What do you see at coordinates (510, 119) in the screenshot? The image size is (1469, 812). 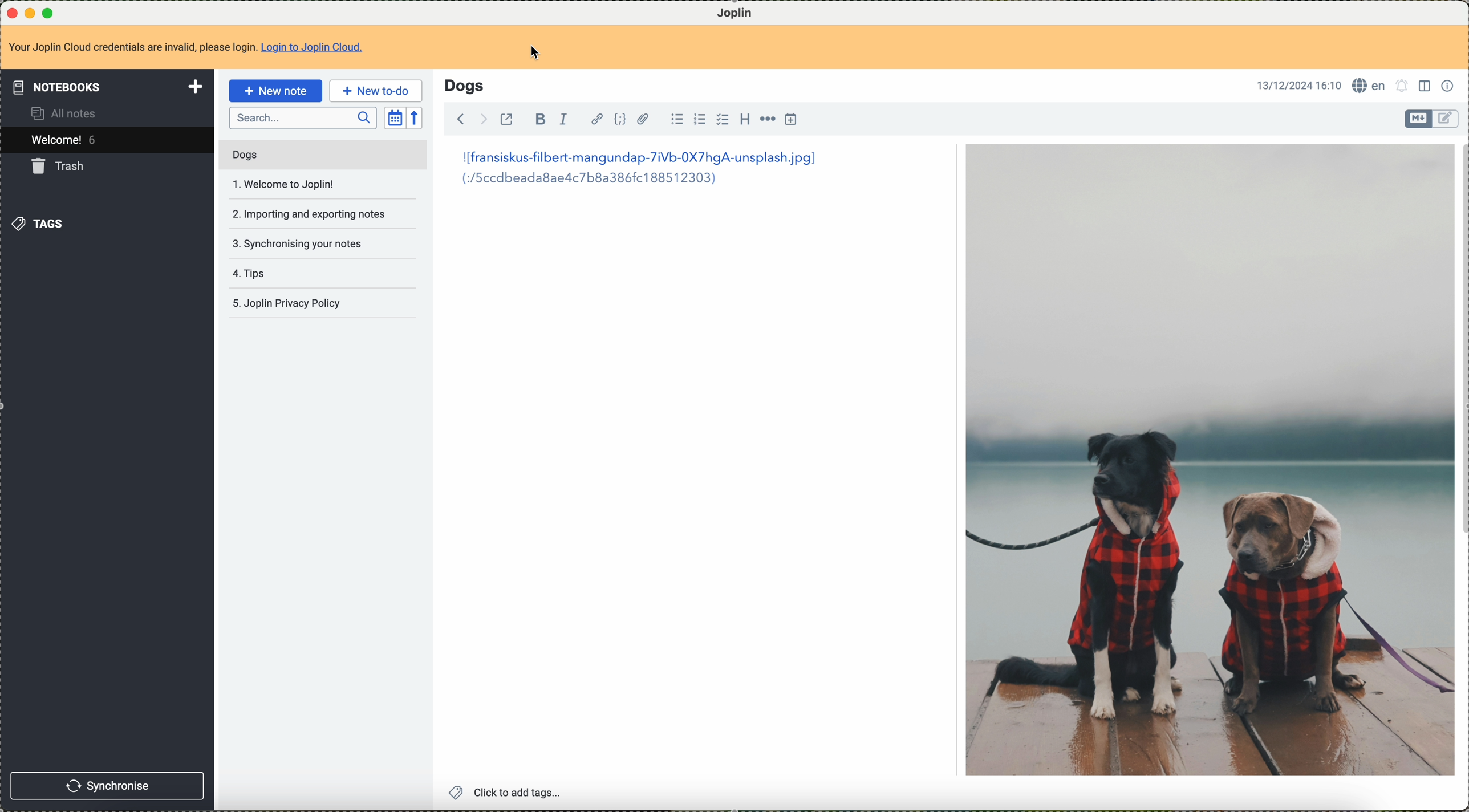 I see `toggle external editing` at bounding box center [510, 119].